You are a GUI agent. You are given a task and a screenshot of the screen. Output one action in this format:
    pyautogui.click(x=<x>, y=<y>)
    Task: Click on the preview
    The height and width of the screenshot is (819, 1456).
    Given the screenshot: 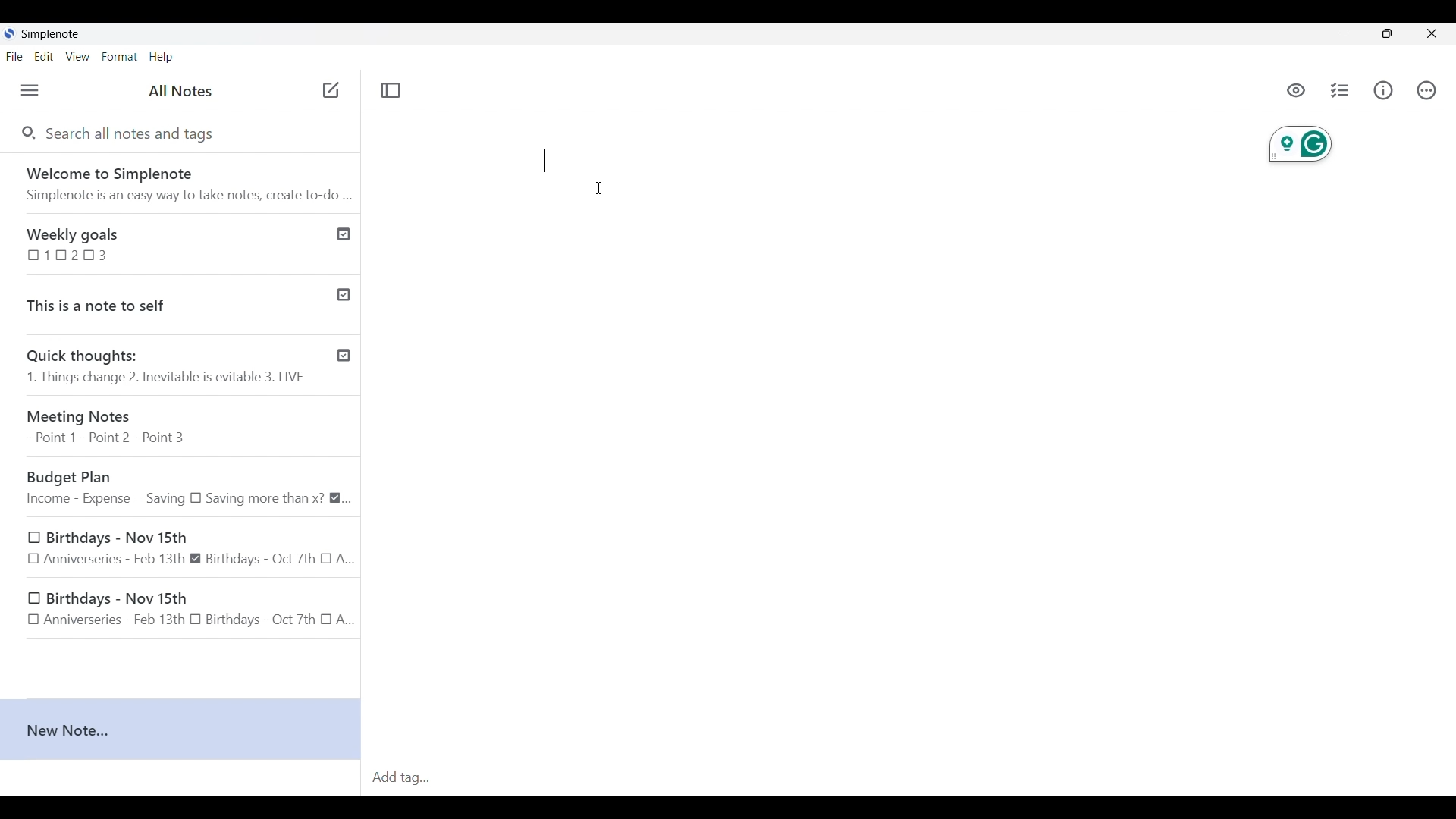 What is the action you would take?
    pyautogui.click(x=1296, y=91)
    